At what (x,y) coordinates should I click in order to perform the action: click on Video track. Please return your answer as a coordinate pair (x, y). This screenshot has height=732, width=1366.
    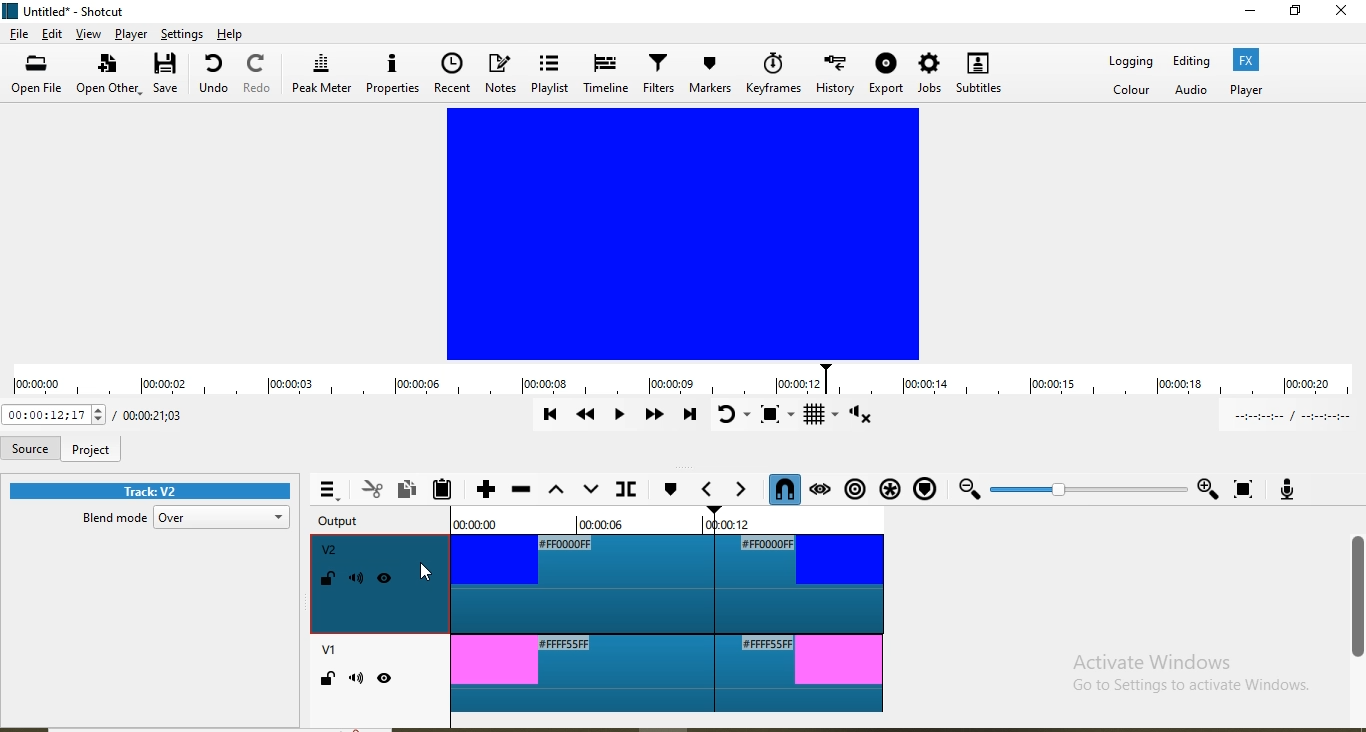
    Looking at the image, I should click on (672, 583).